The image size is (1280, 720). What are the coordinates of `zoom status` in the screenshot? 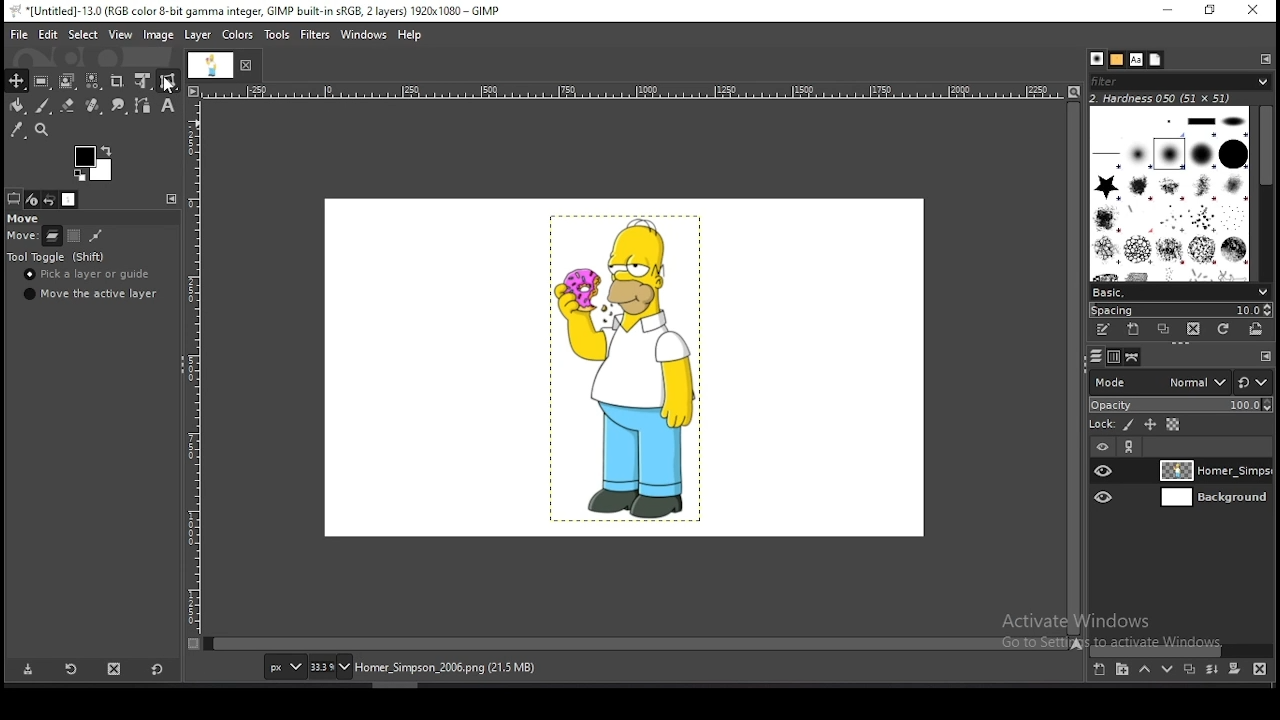 It's located at (329, 667).